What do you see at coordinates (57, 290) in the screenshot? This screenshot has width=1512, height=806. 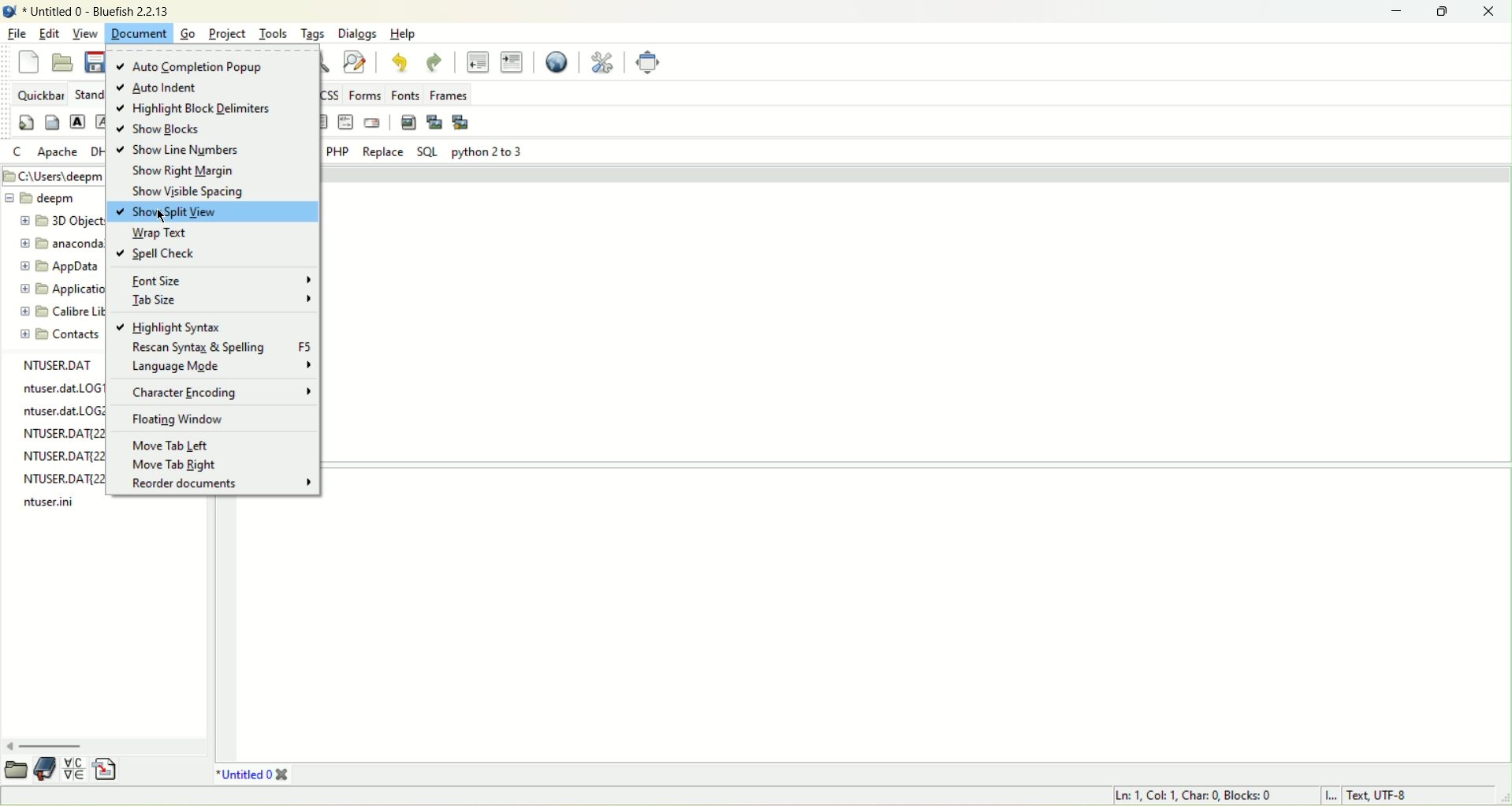 I see `folder name` at bounding box center [57, 290].